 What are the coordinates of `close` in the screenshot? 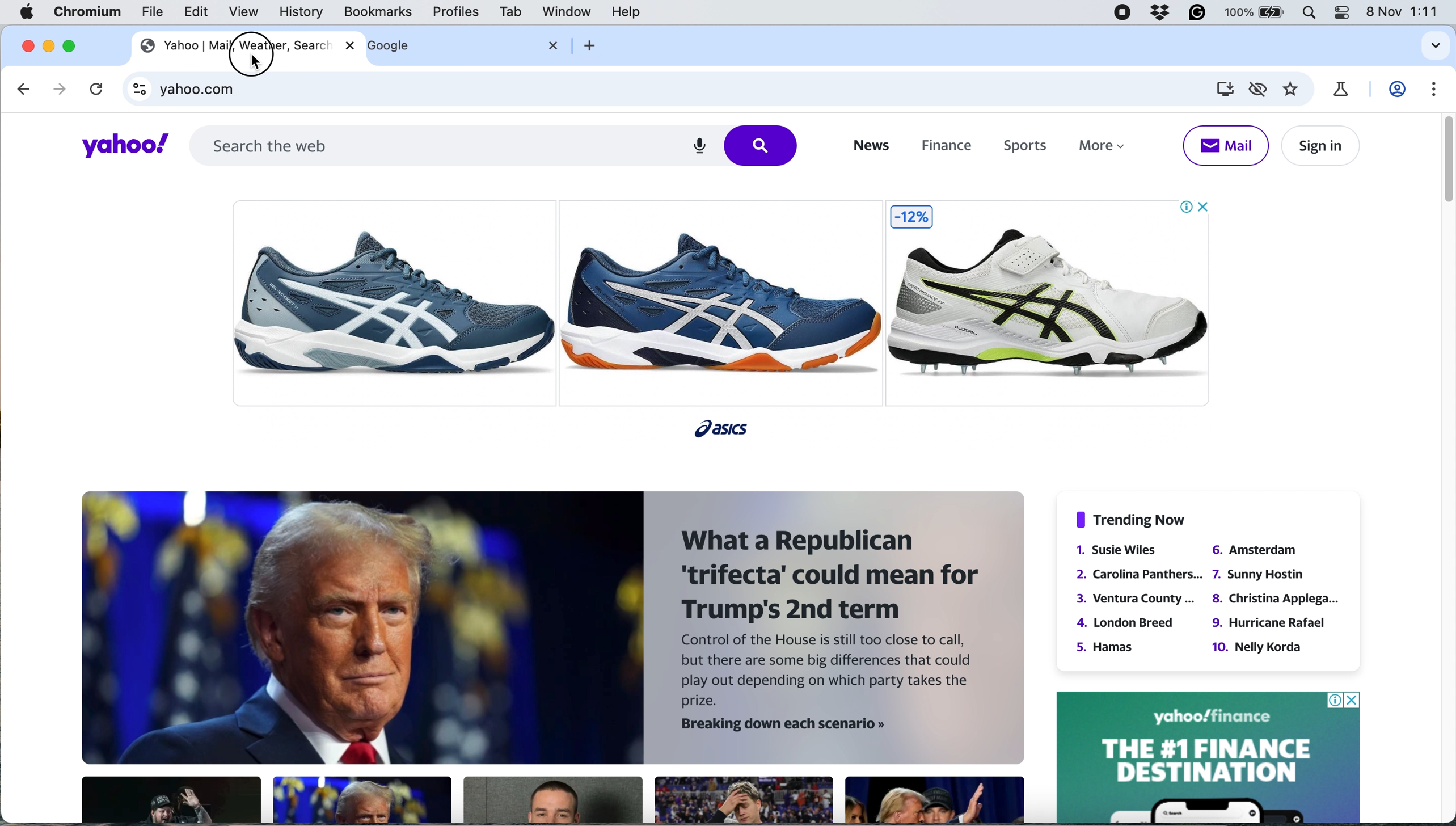 It's located at (347, 47).